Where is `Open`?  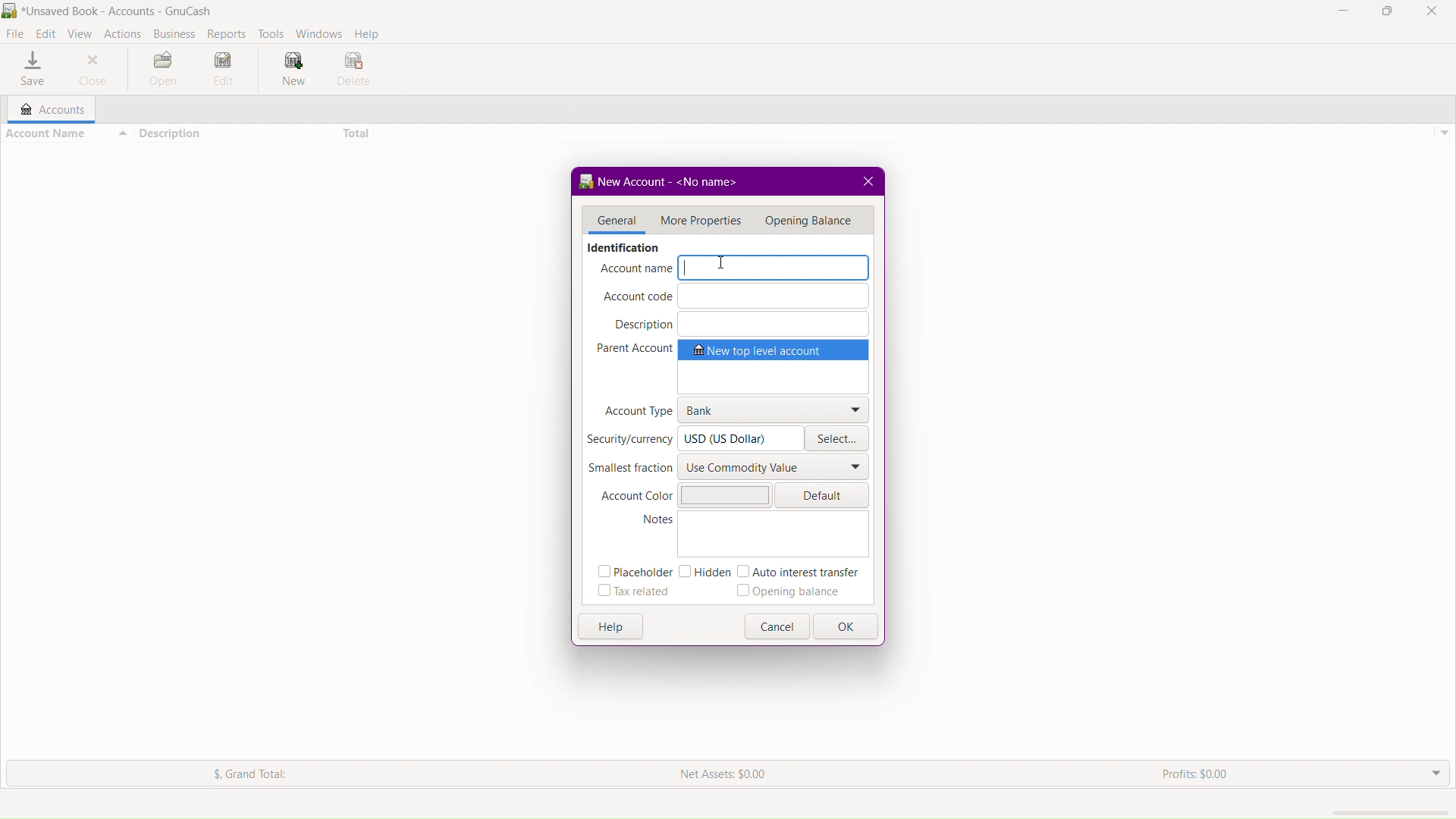 Open is located at coordinates (163, 71).